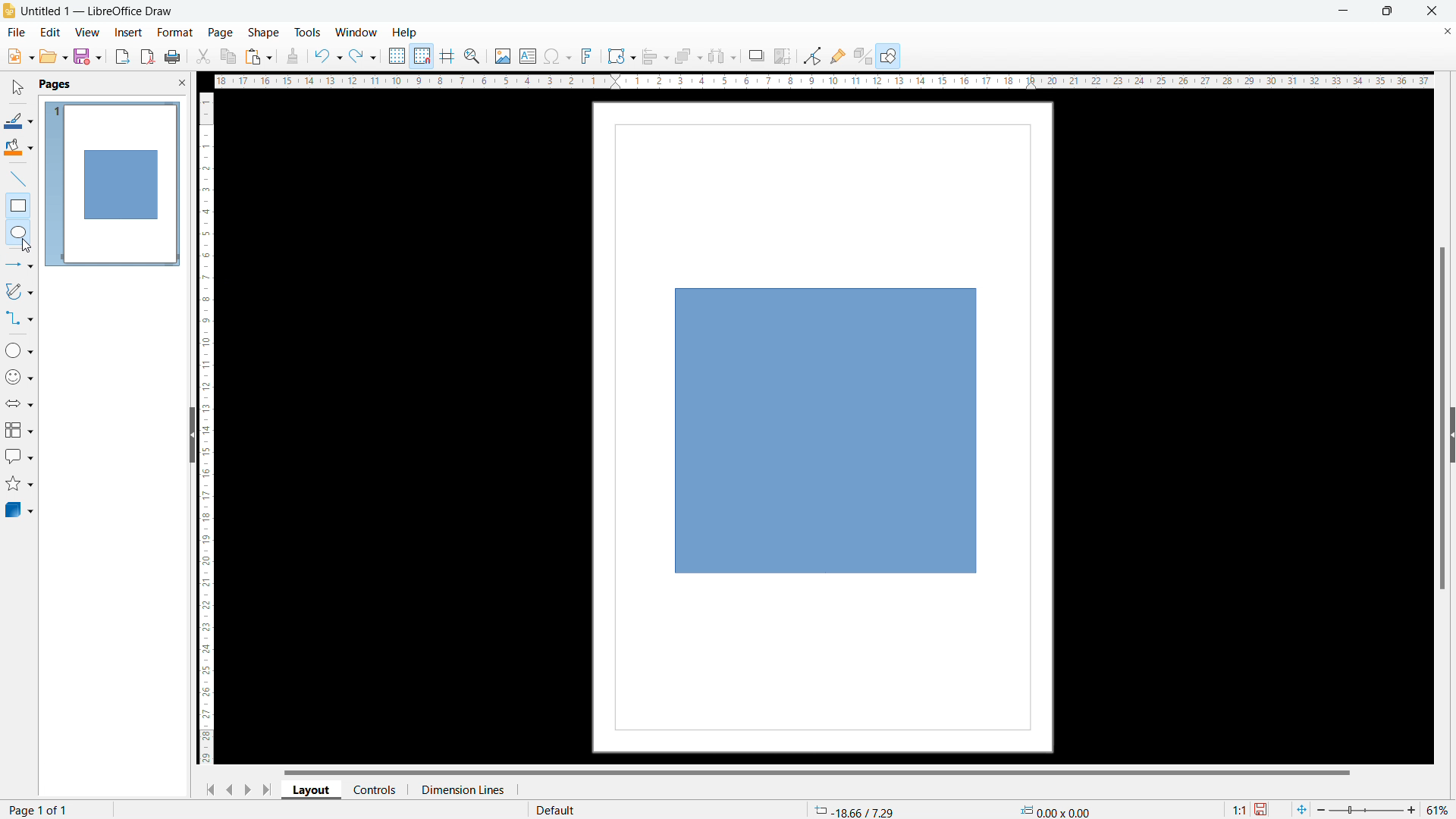 The width and height of the screenshot is (1456, 819). What do you see at coordinates (123, 56) in the screenshot?
I see `export` at bounding box center [123, 56].